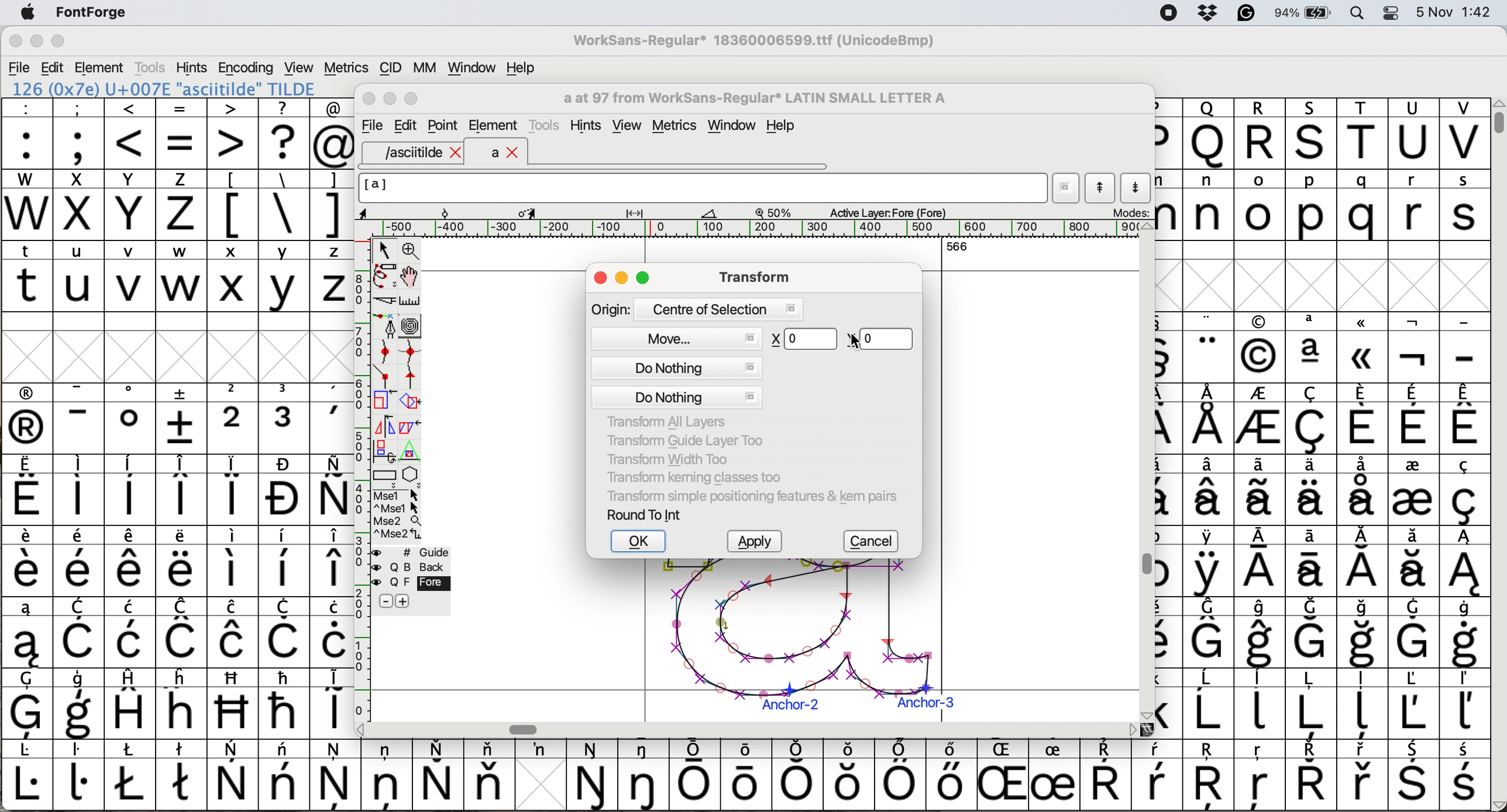  Describe the element at coordinates (1365, 634) in the screenshot. I see `symbol` at that location.